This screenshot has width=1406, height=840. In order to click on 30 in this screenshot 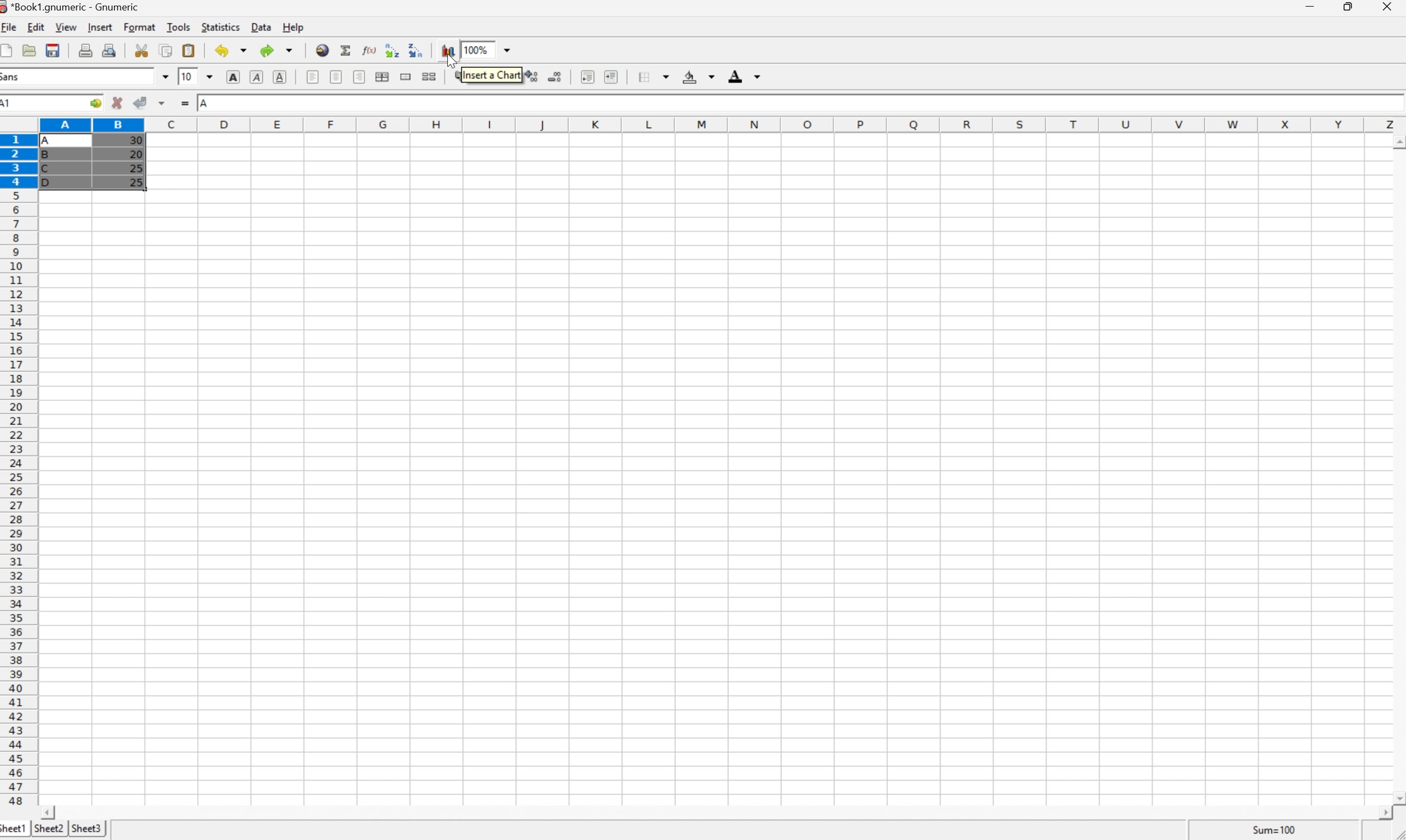, I will do `click(135, 142)`.